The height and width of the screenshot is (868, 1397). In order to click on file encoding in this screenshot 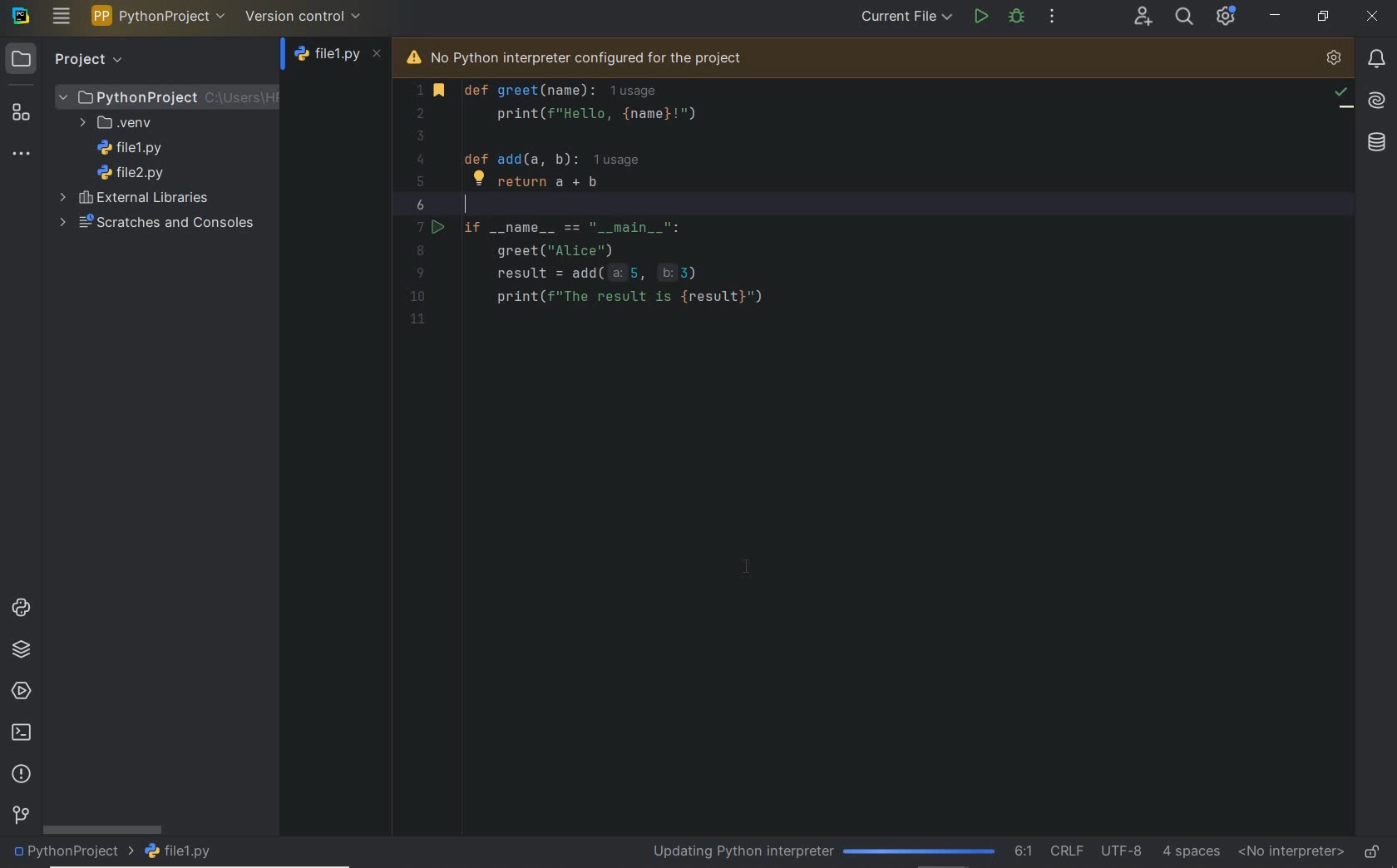, I will do `click(1121, 849)`.